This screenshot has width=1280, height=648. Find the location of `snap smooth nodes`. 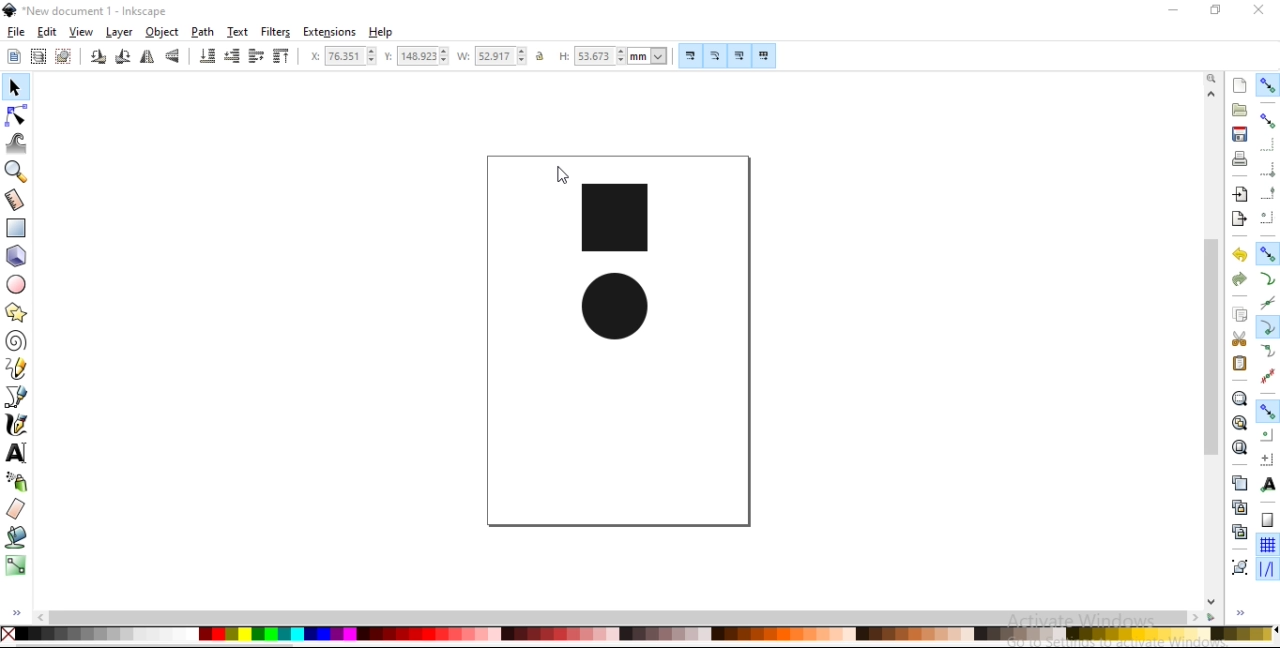

snap smooth nodes is located at coordinates (1267, 351).